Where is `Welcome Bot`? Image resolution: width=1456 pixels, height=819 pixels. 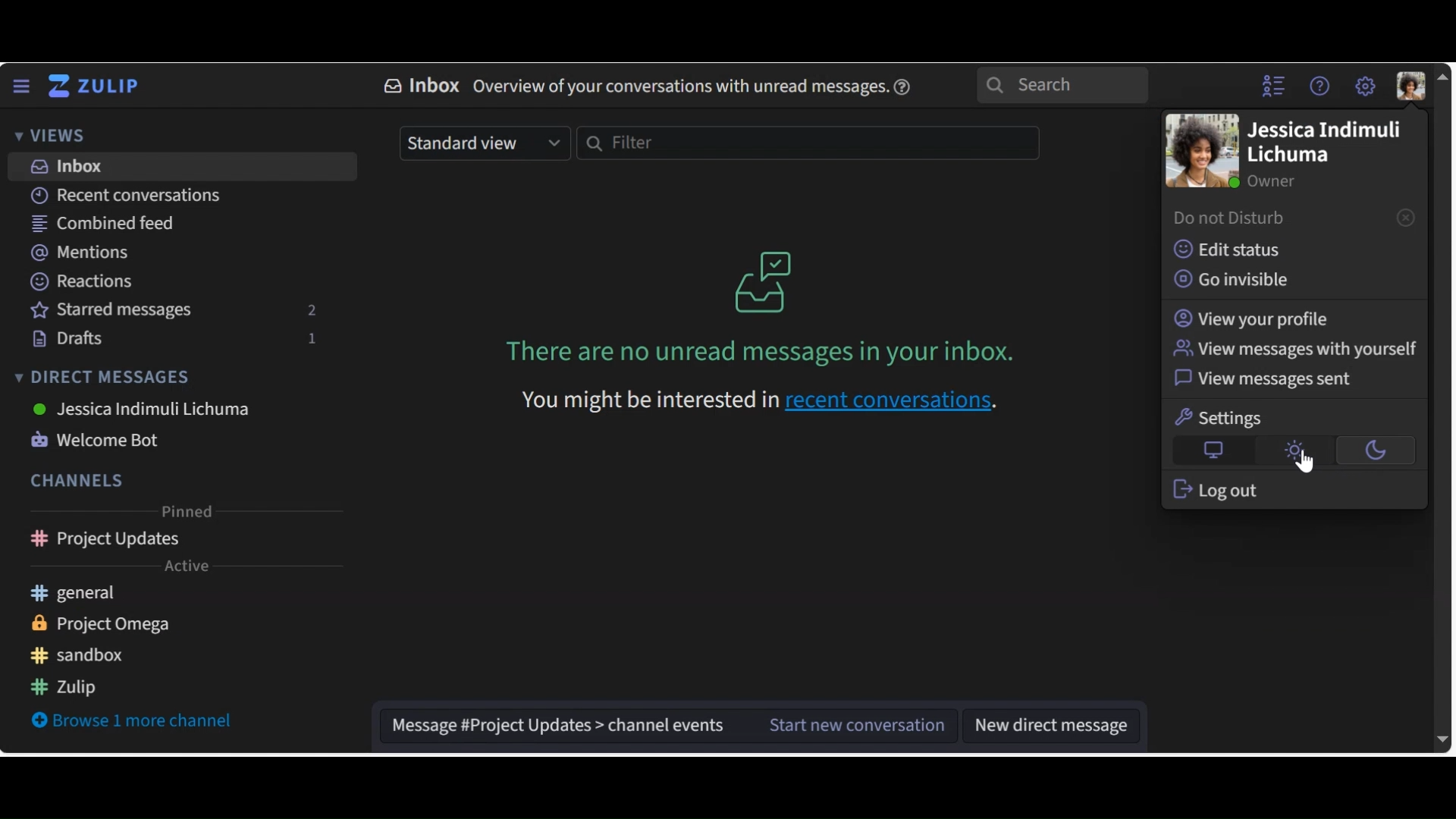
Welcome Bot is located at coordinates (102, 441).